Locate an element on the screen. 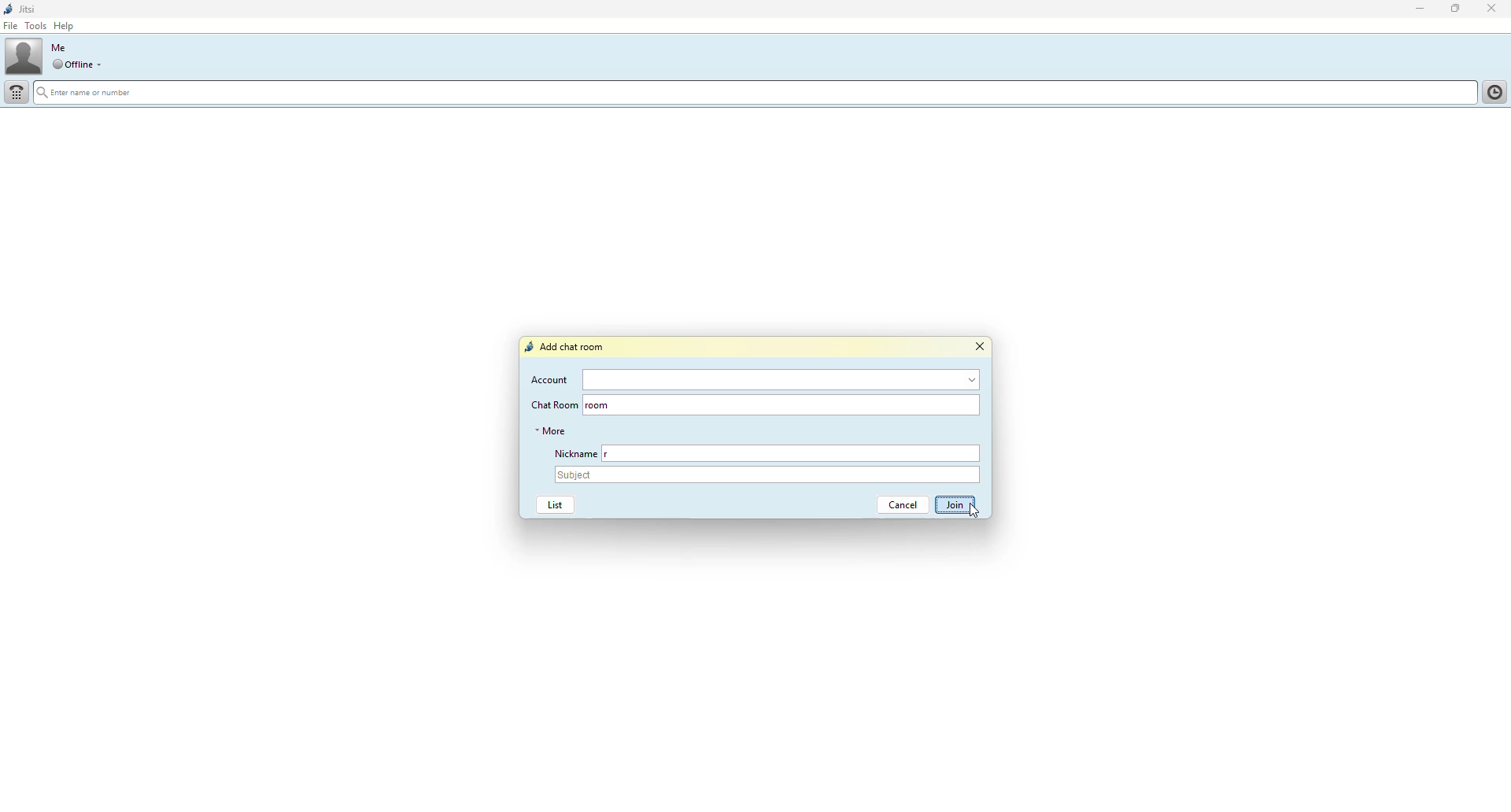 The image size is (1511, 812). close is located at coordinates (1494, 8).